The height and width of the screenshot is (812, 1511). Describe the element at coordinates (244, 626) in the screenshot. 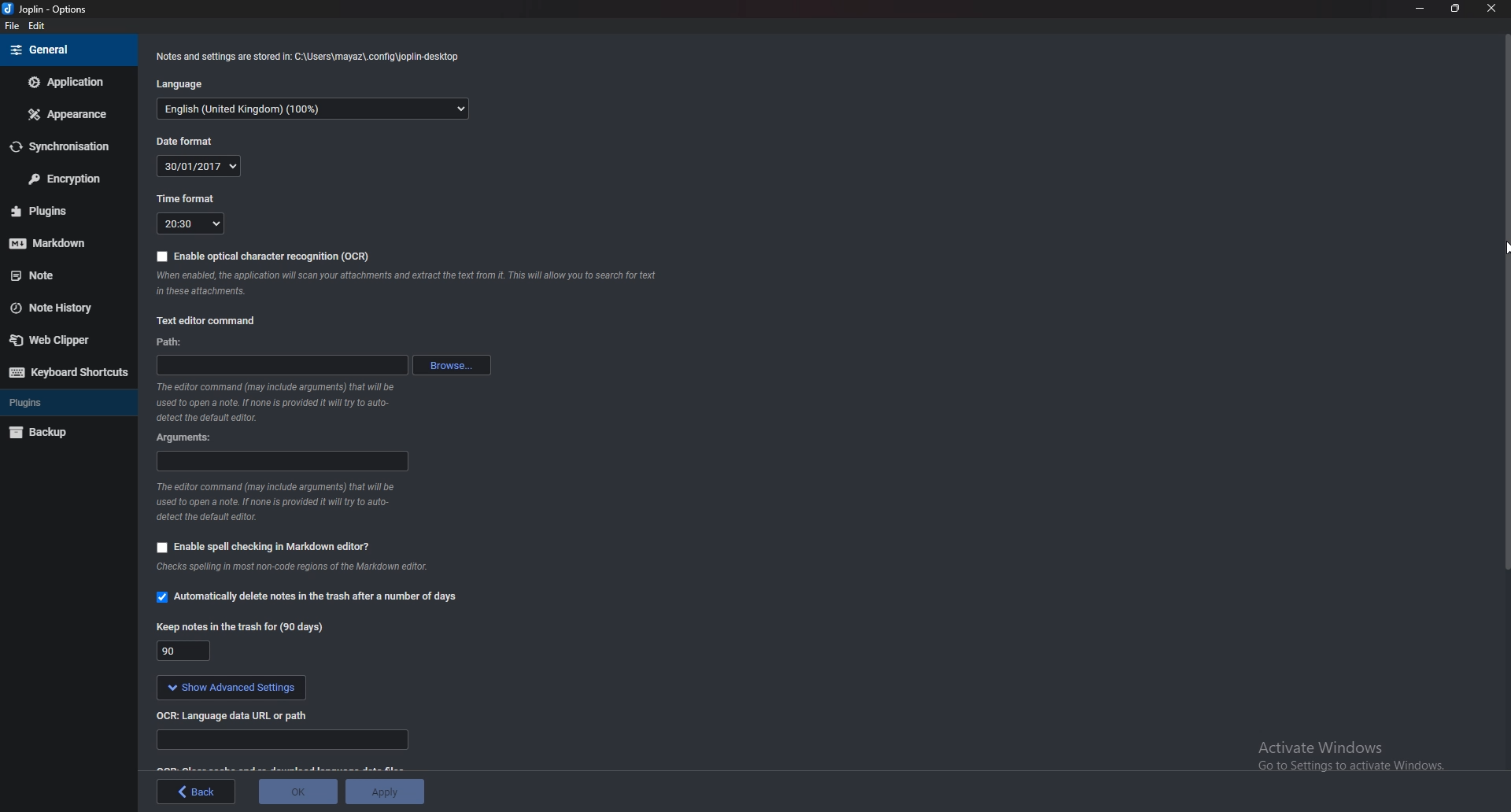

I see `Keep notes in the trash for` at that location.